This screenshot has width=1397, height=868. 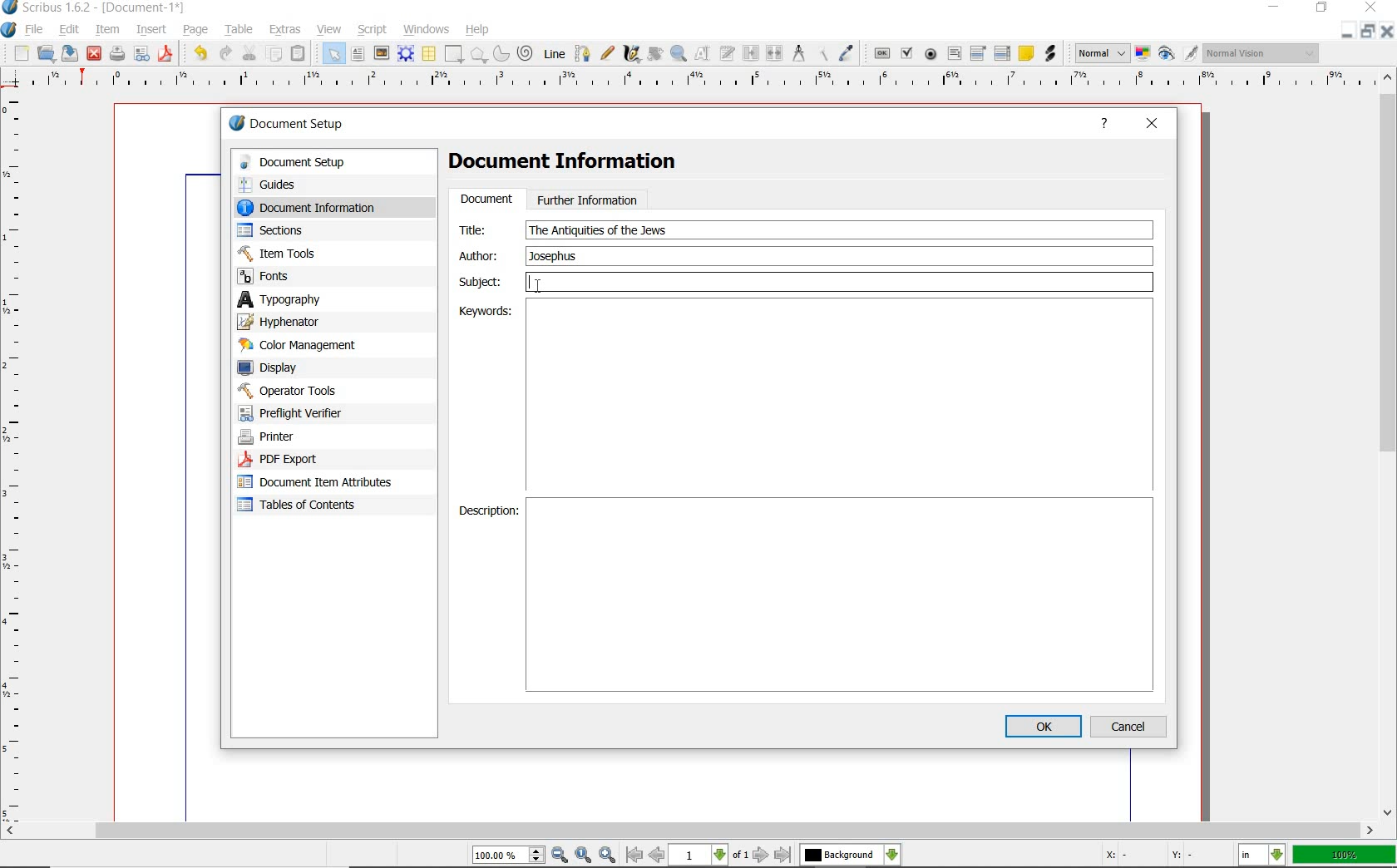 I want to click on document, so click(x=486, y=200).